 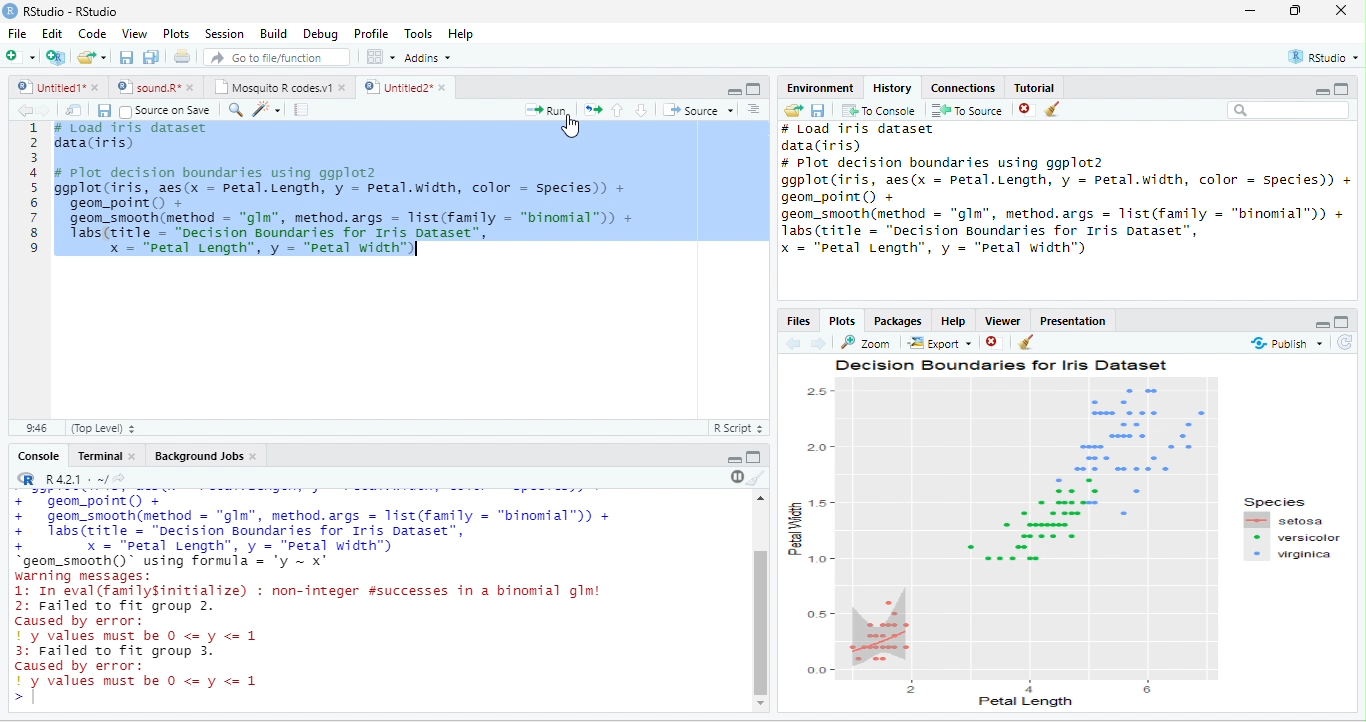 I want to click on Petal Width meter, so click(x=818, y=529).